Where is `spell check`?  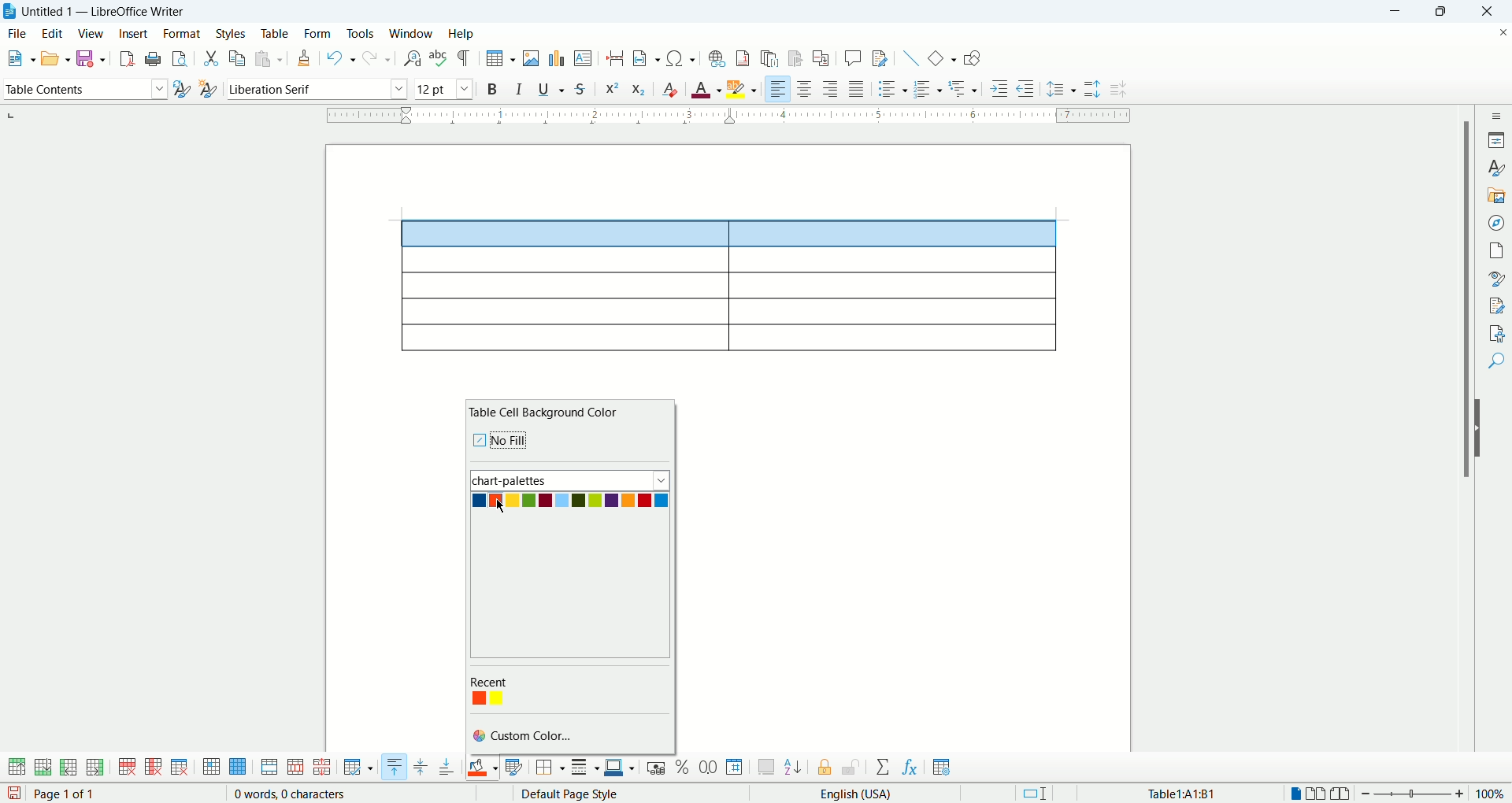 spell check is located at coordinates (439, 57).